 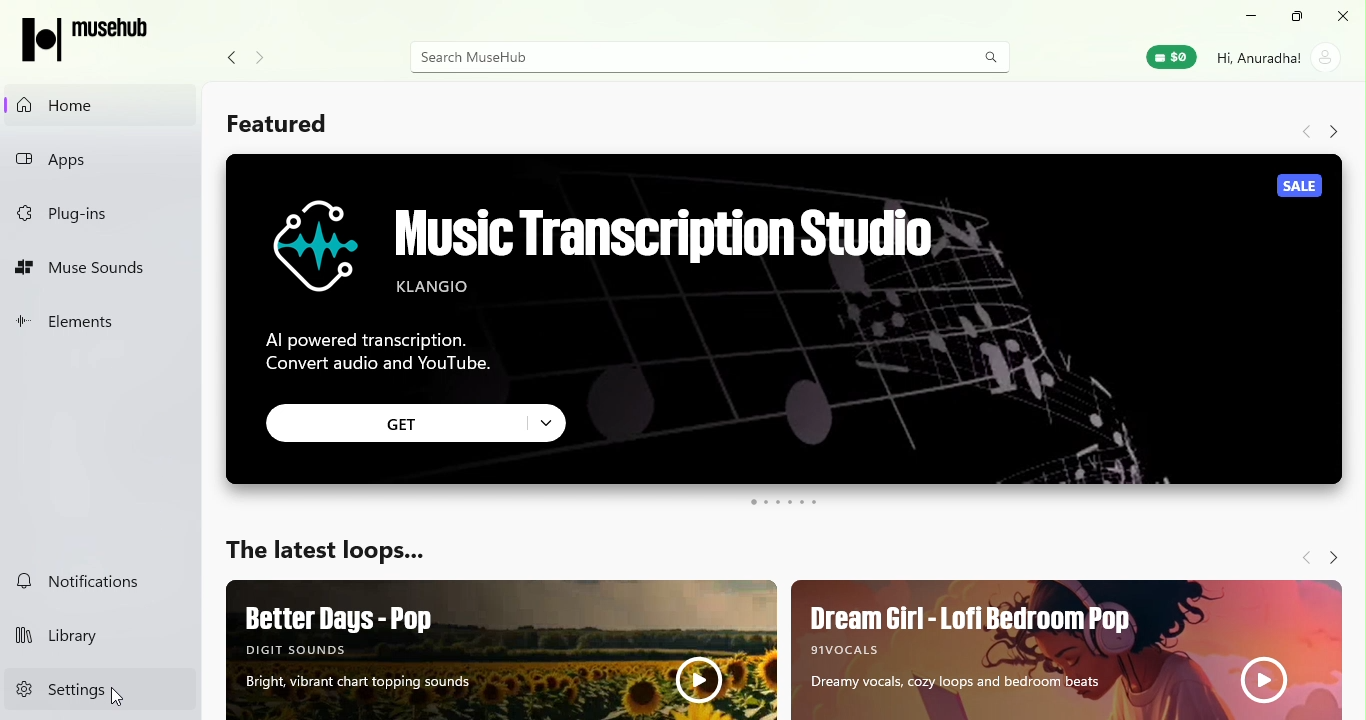 I want to click on Apps, so click(x=103, y=161).